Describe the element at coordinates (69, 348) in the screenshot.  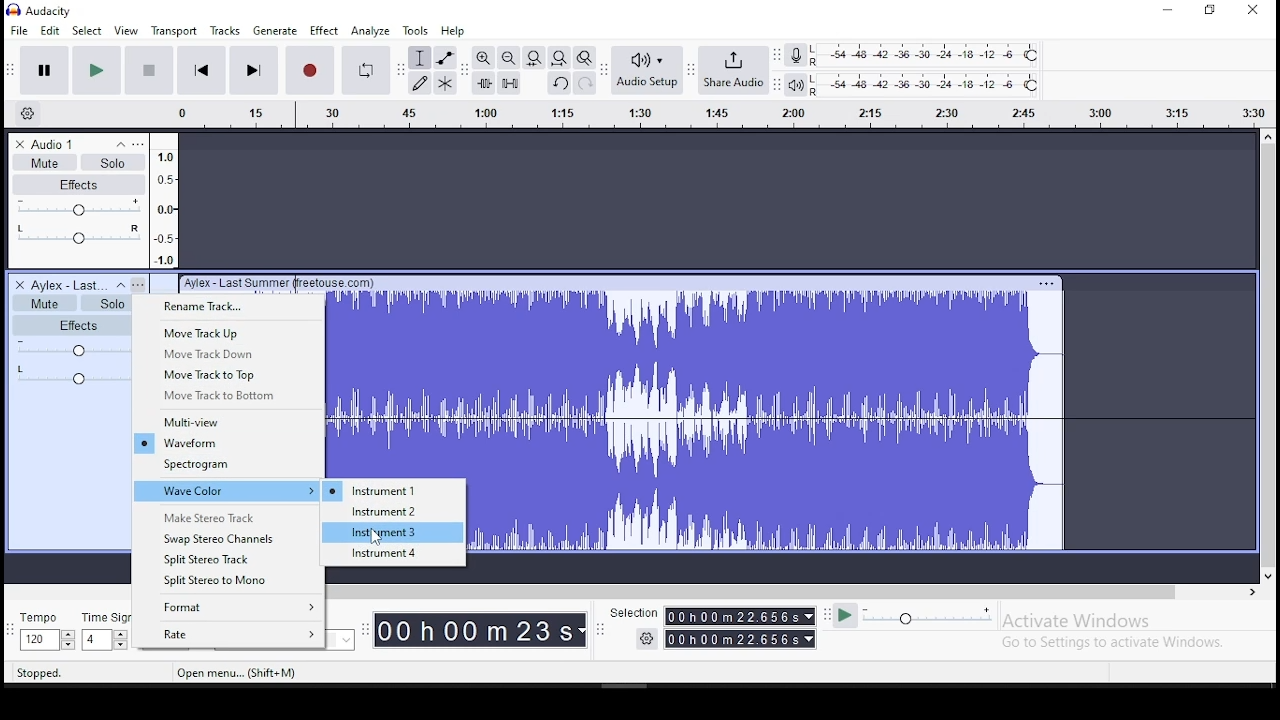
I see `volume` at that location.